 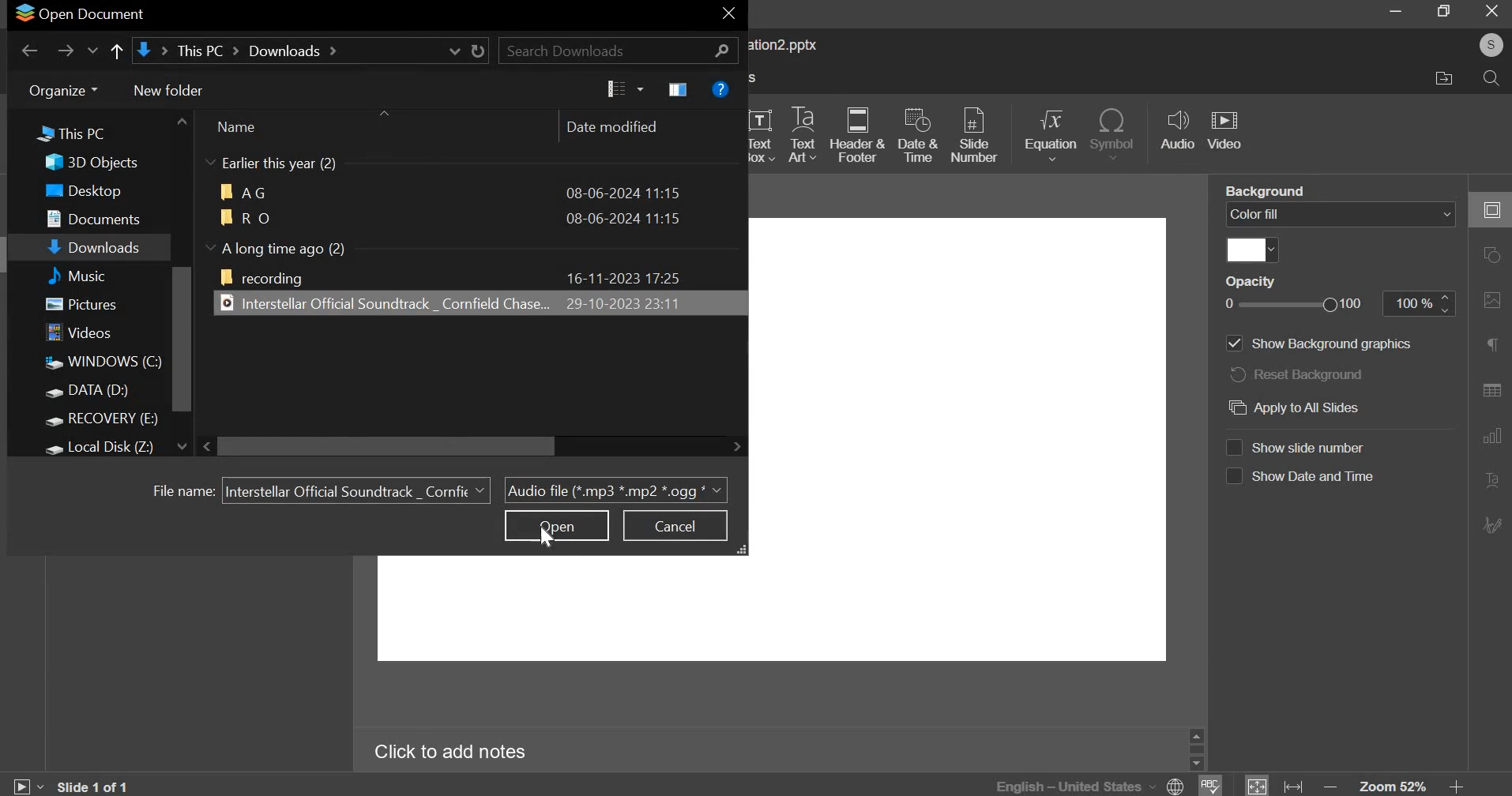 What do you see at coordinates (209, 446) in the screenshot?
I see `scroll left` at bounding box center [209, 446].